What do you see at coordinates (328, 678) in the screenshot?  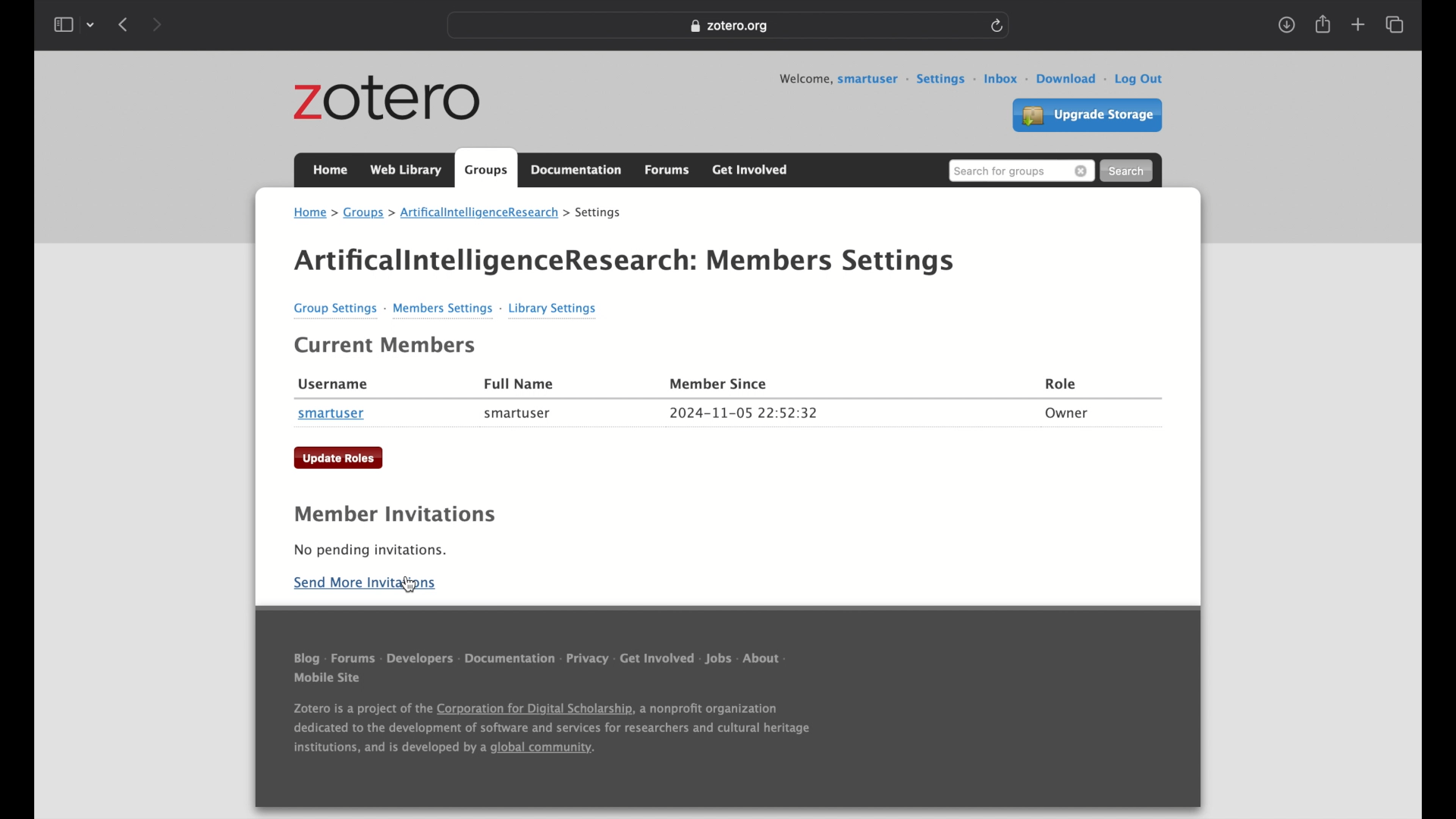 I see `mobile site` at bounding box center [328, 678].